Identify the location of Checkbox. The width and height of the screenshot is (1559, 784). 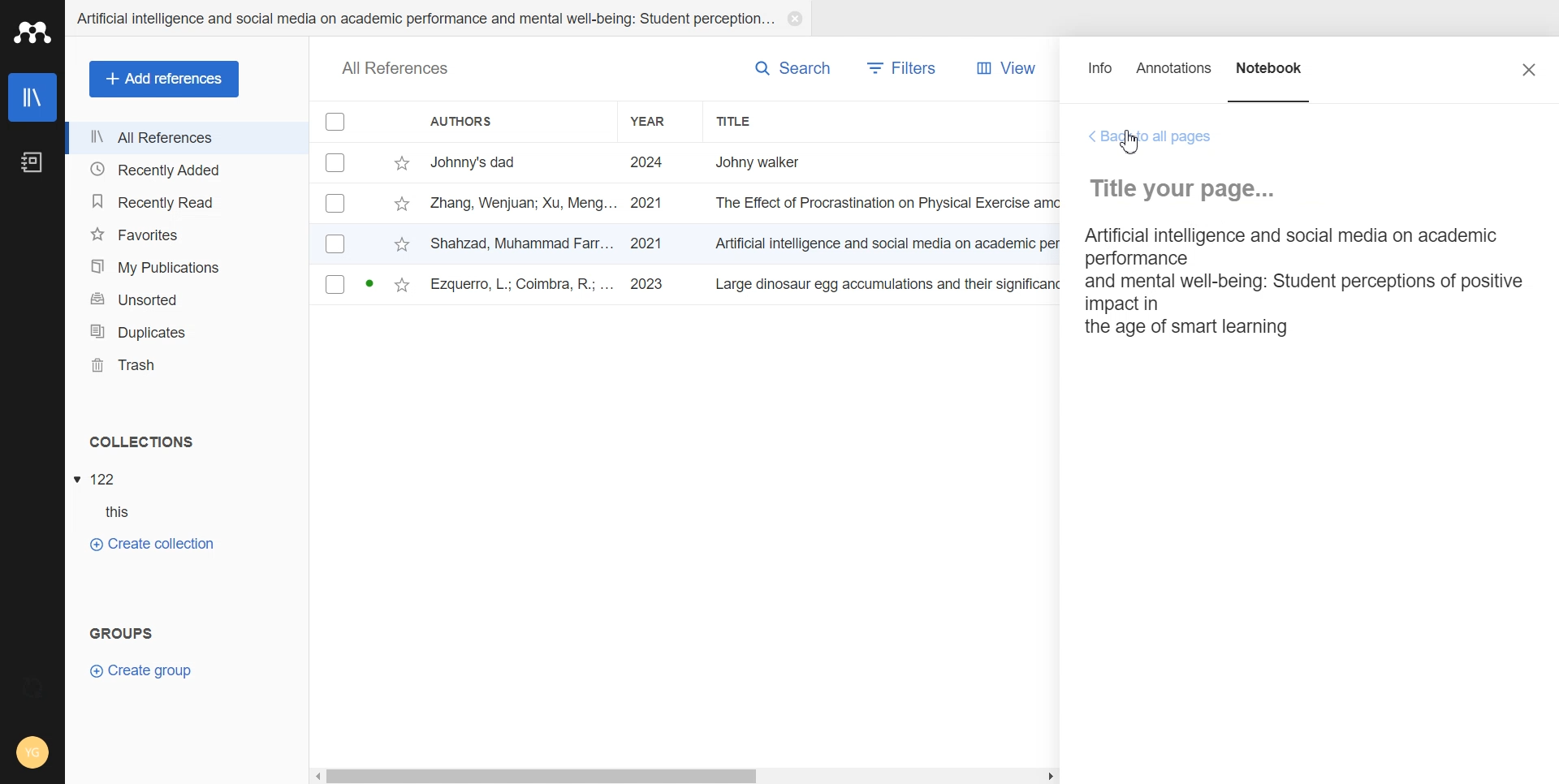
(337, 121).